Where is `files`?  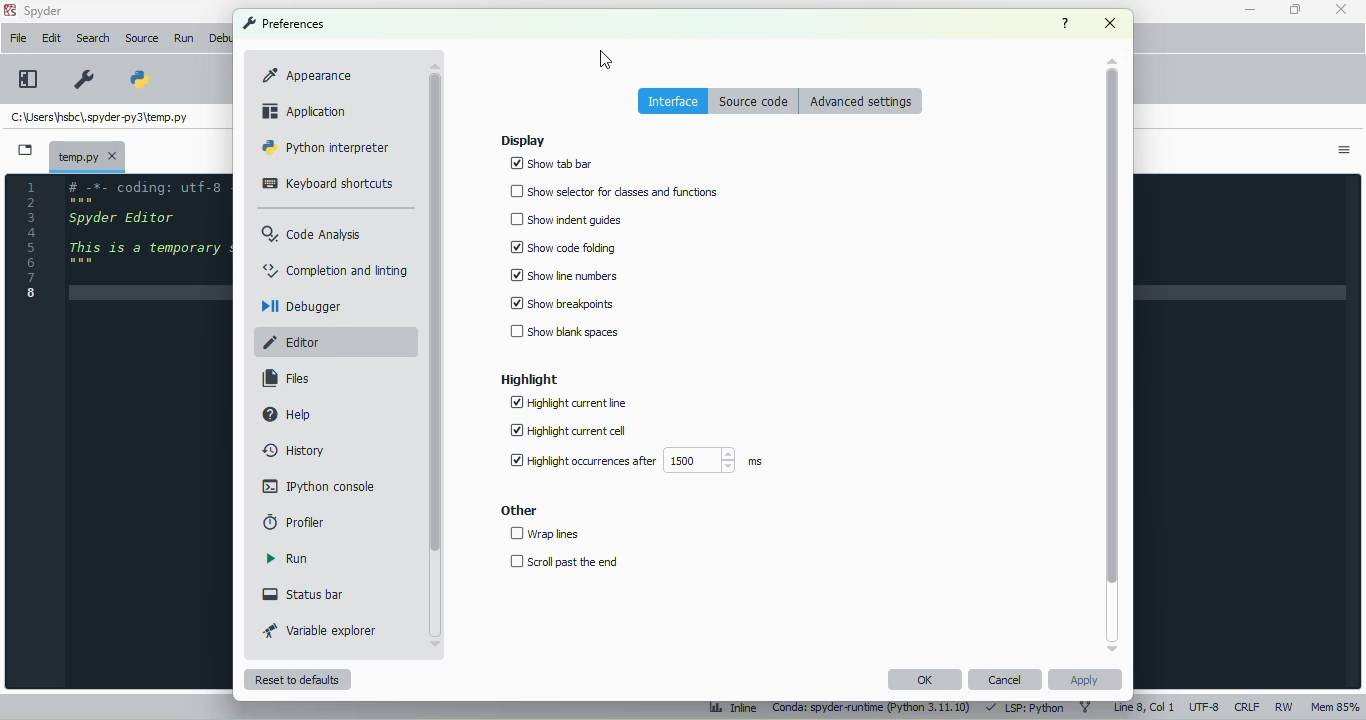 files is located at coordinates (284, 377).